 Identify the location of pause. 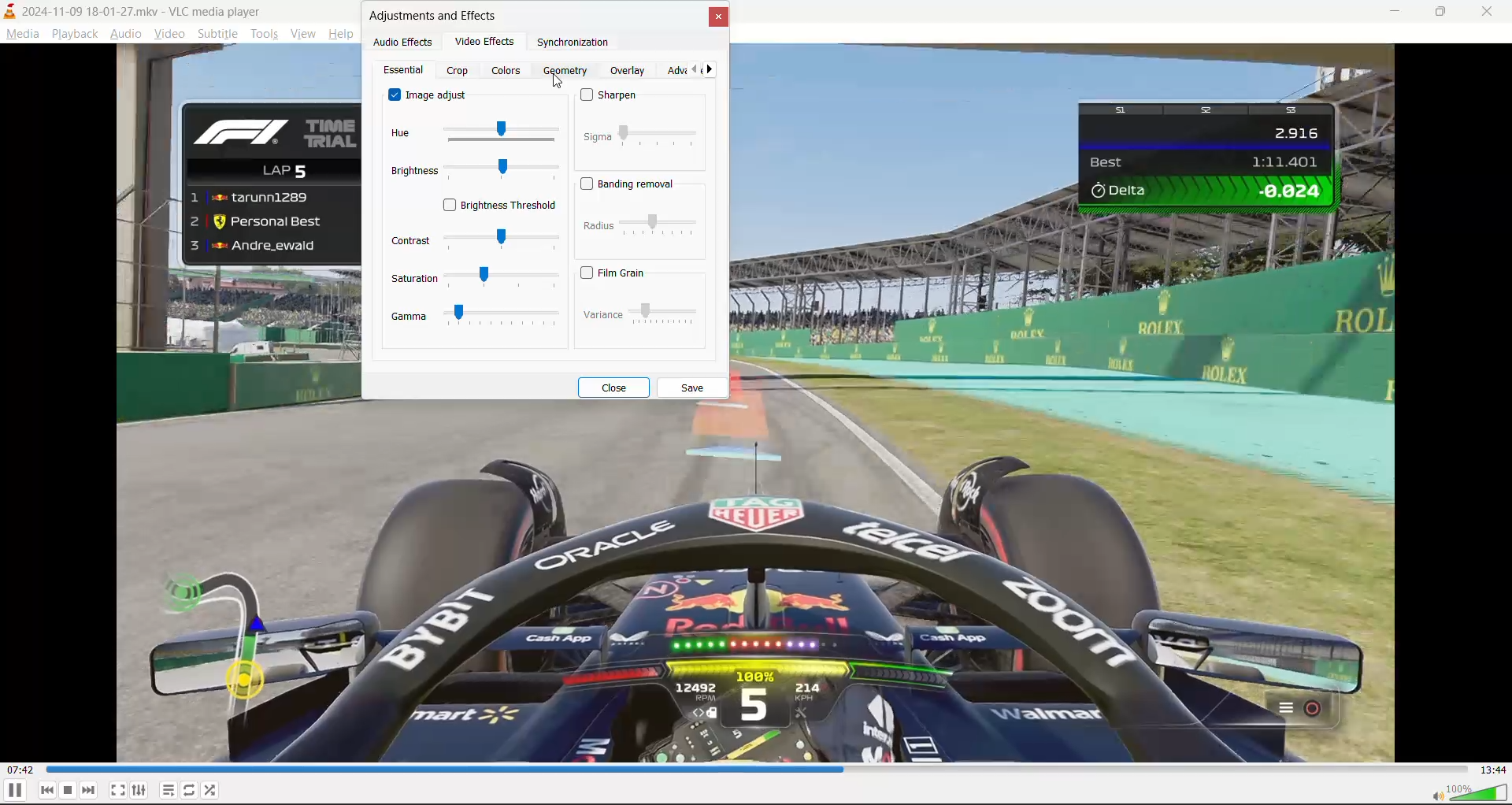
(14, 791).